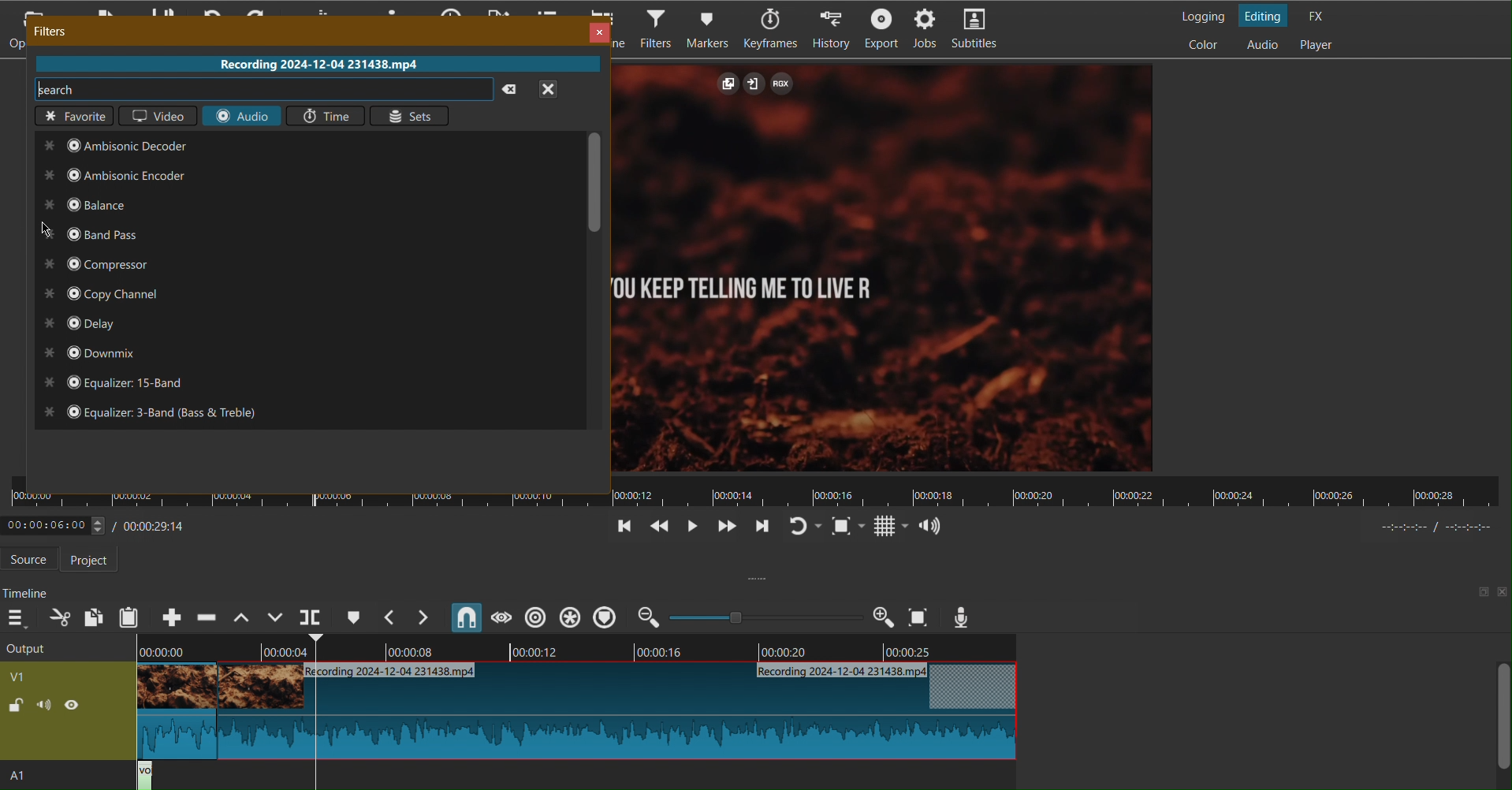  Describe the element at coordinates (761, 528) in the screenshot. I see `Jump Forward` at that location.